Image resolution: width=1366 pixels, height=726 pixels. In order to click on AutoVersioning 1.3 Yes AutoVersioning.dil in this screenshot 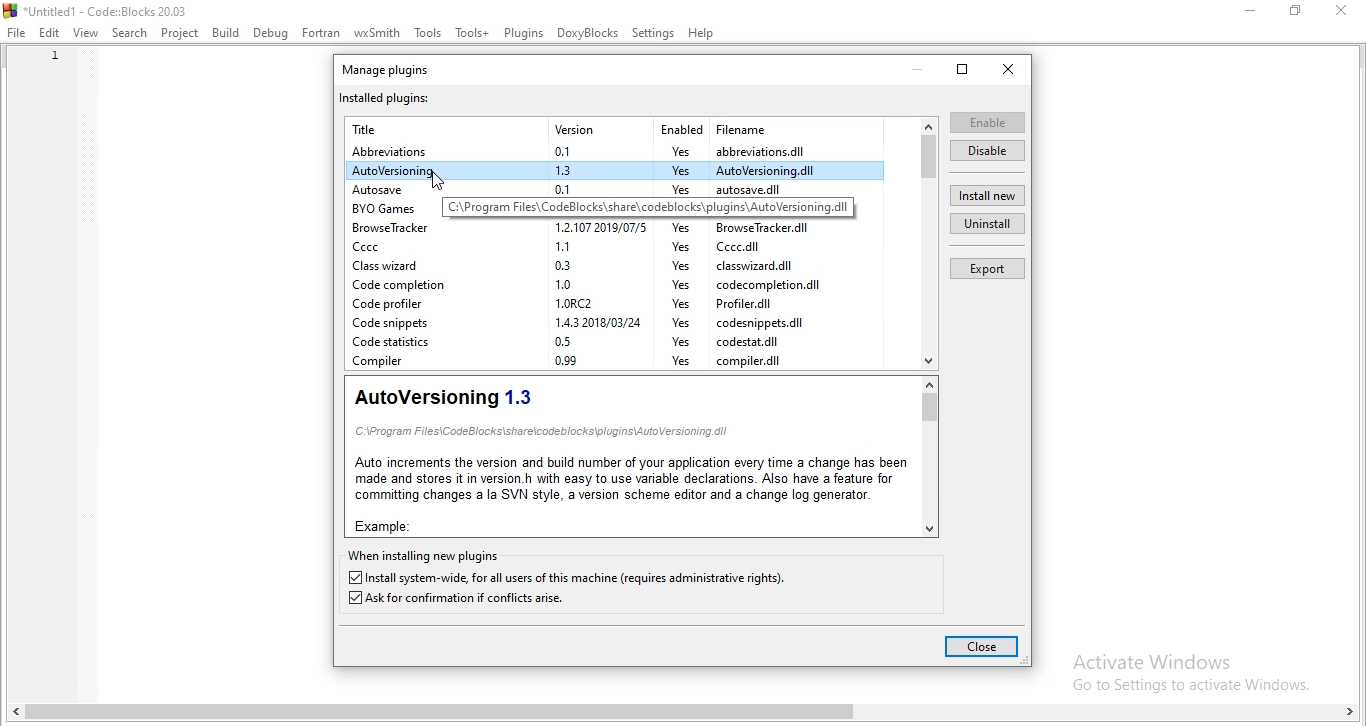, I will do `click(586, 170)`.